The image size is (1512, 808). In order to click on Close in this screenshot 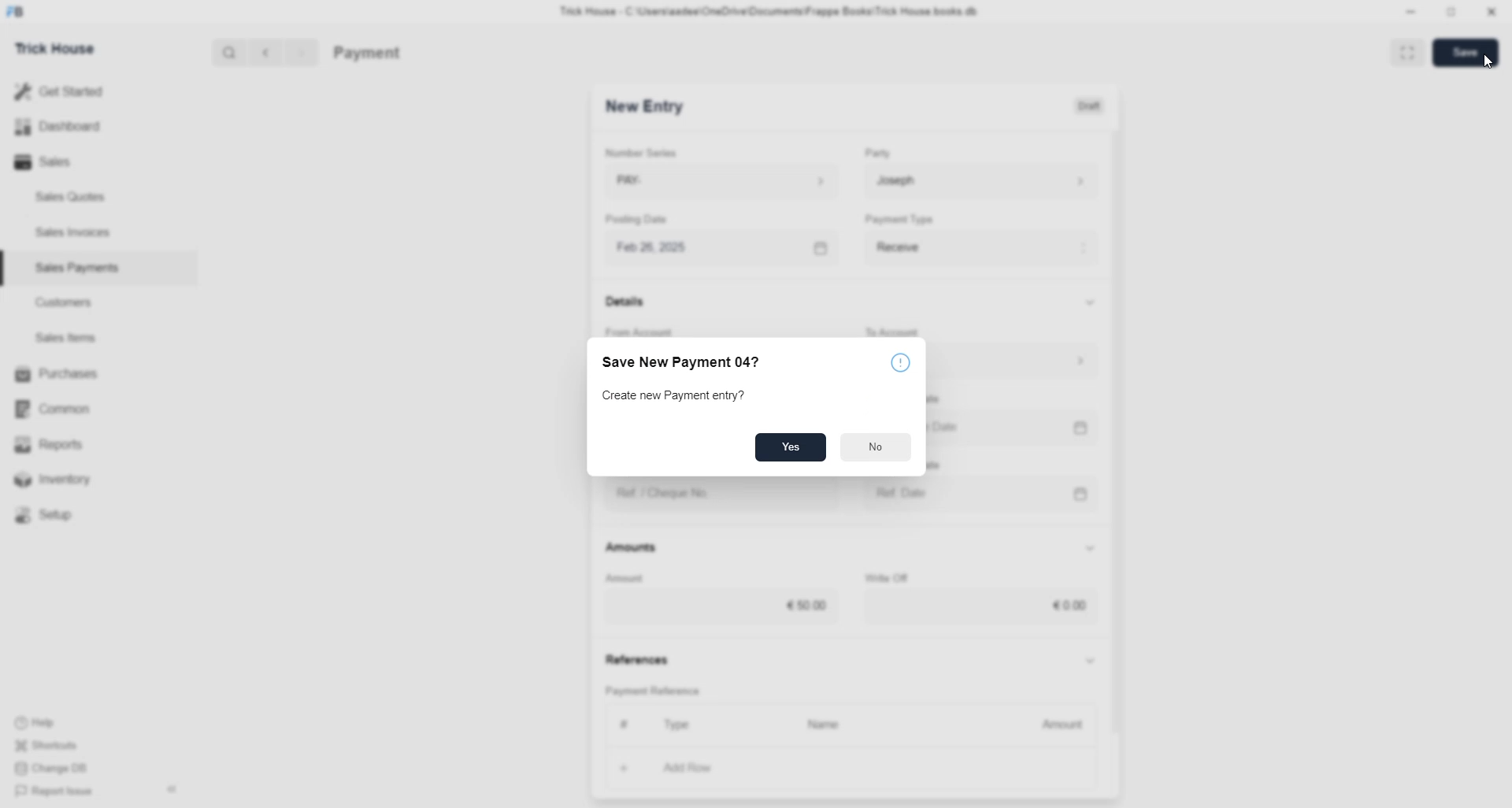, I will do `click(1491, 13)`.